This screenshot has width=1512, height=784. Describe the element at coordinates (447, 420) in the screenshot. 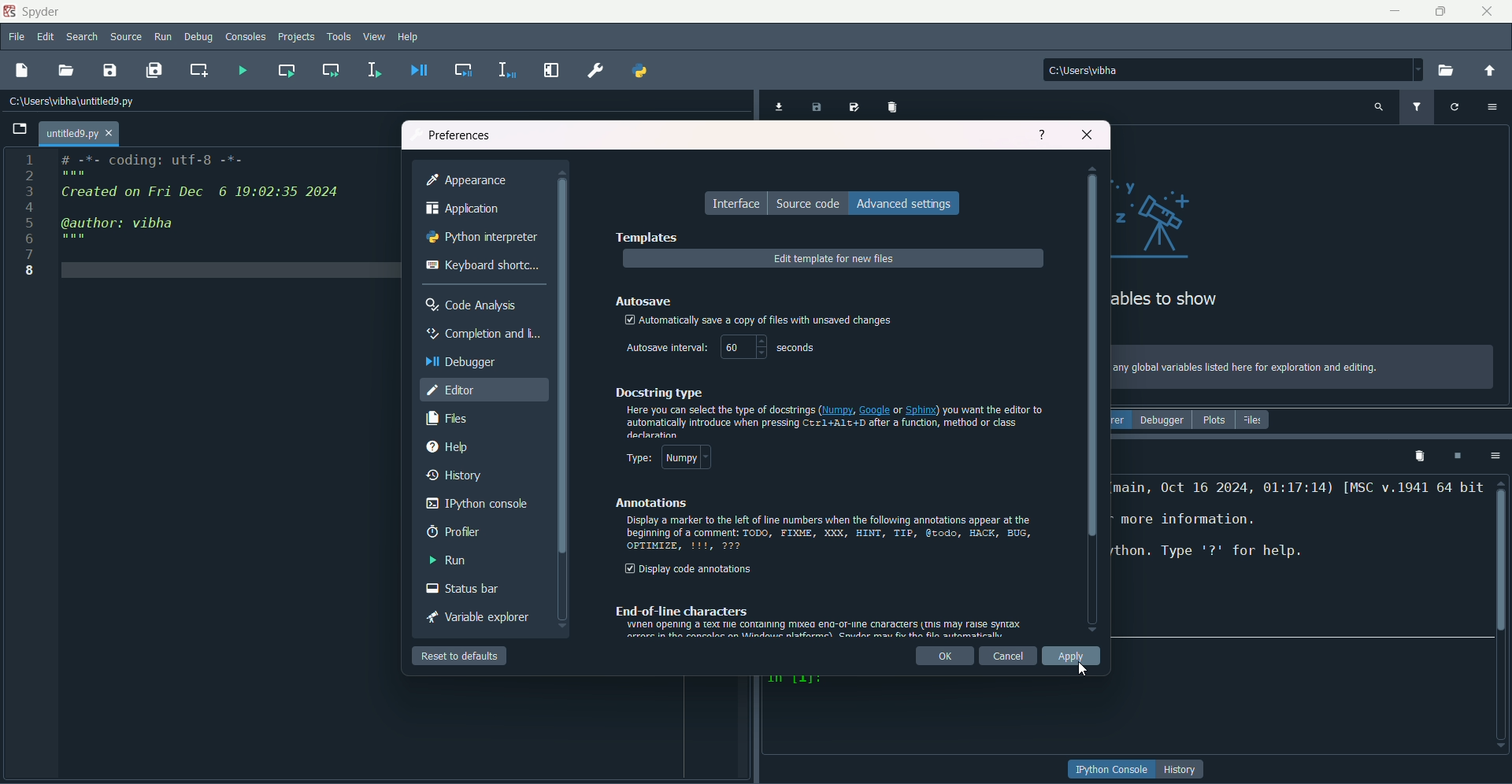

I see `files` at that location.